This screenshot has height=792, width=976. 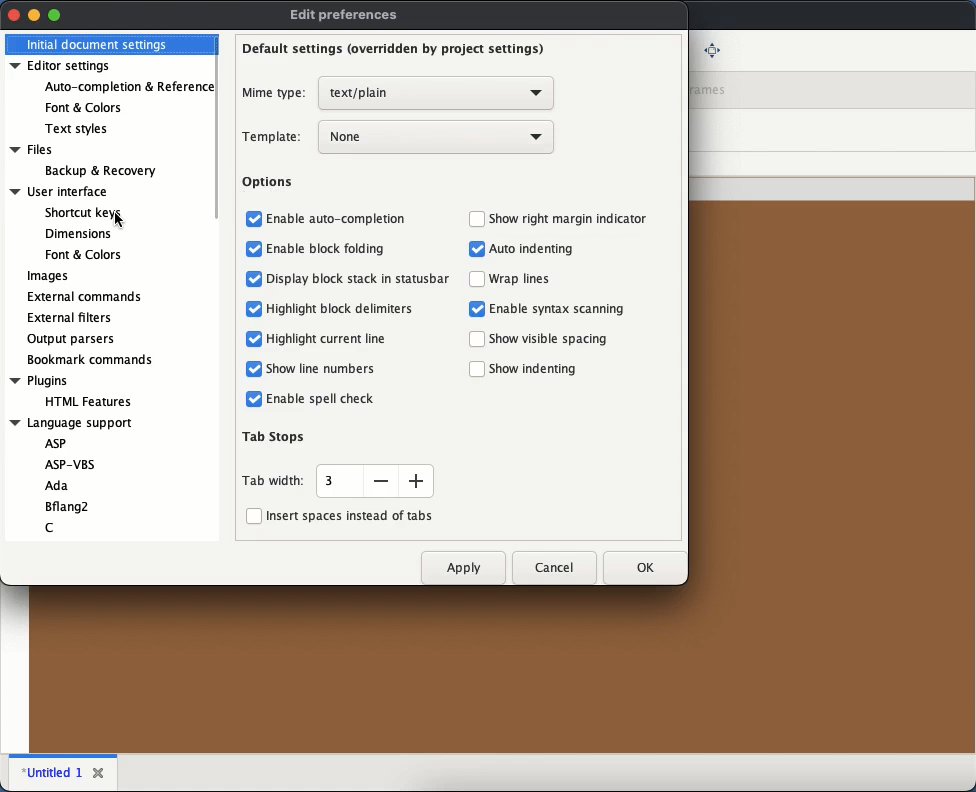 I want to click on checkbox disabled, so click(x=478, y=370).